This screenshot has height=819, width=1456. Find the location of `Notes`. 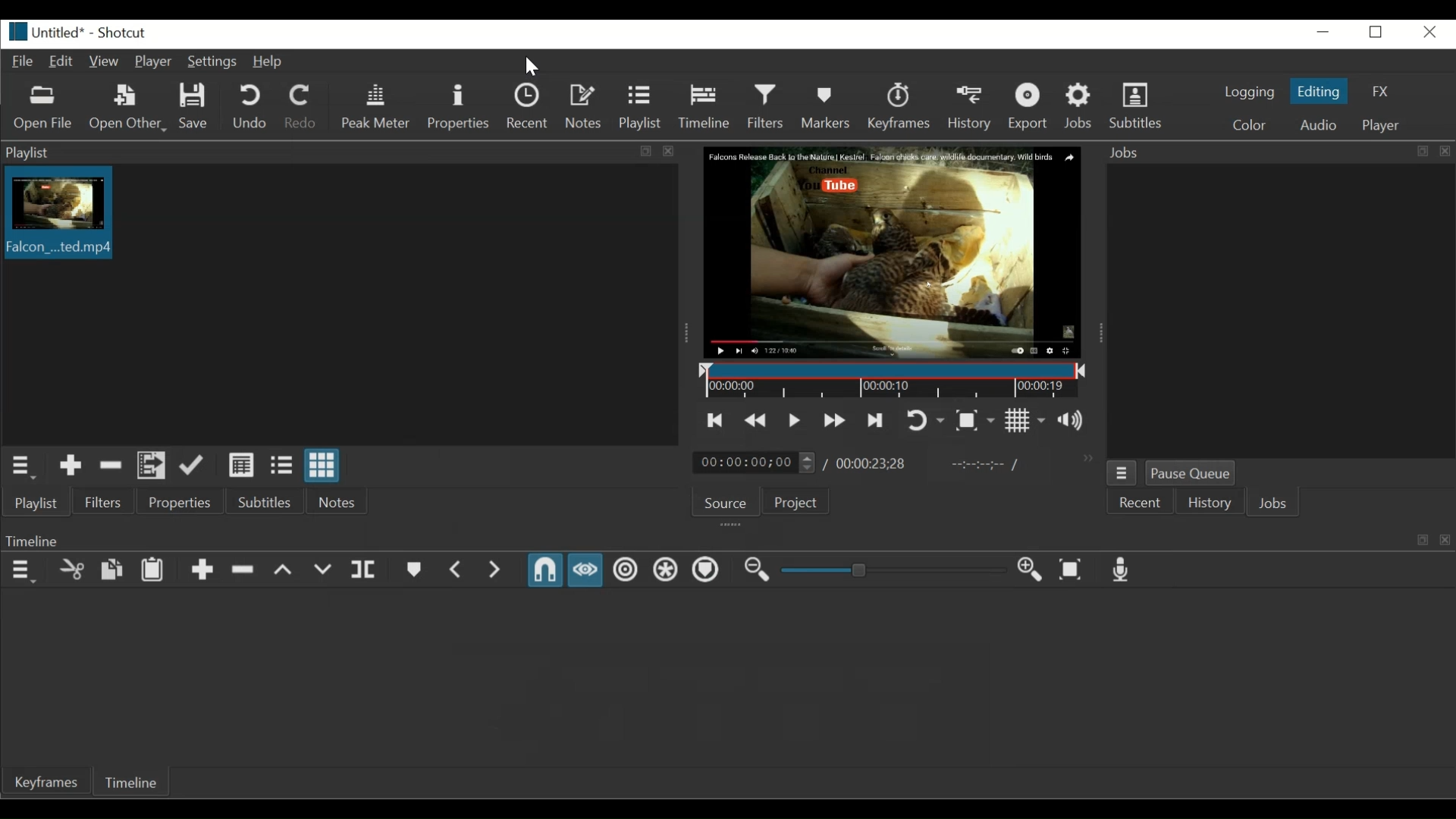

Notes is located at coordinates (585, 107).